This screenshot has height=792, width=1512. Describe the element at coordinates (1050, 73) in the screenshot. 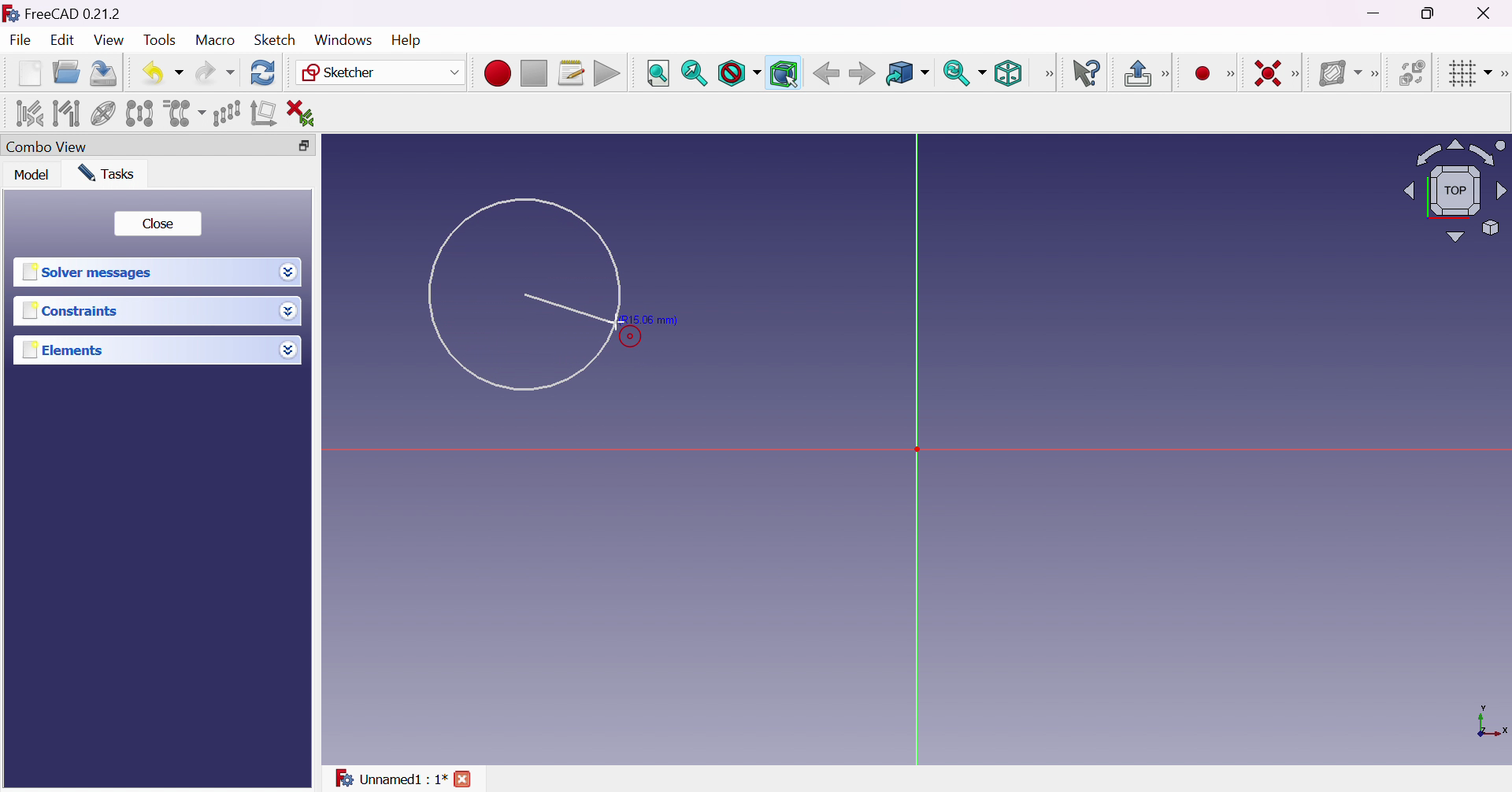

I see `View` at that location.